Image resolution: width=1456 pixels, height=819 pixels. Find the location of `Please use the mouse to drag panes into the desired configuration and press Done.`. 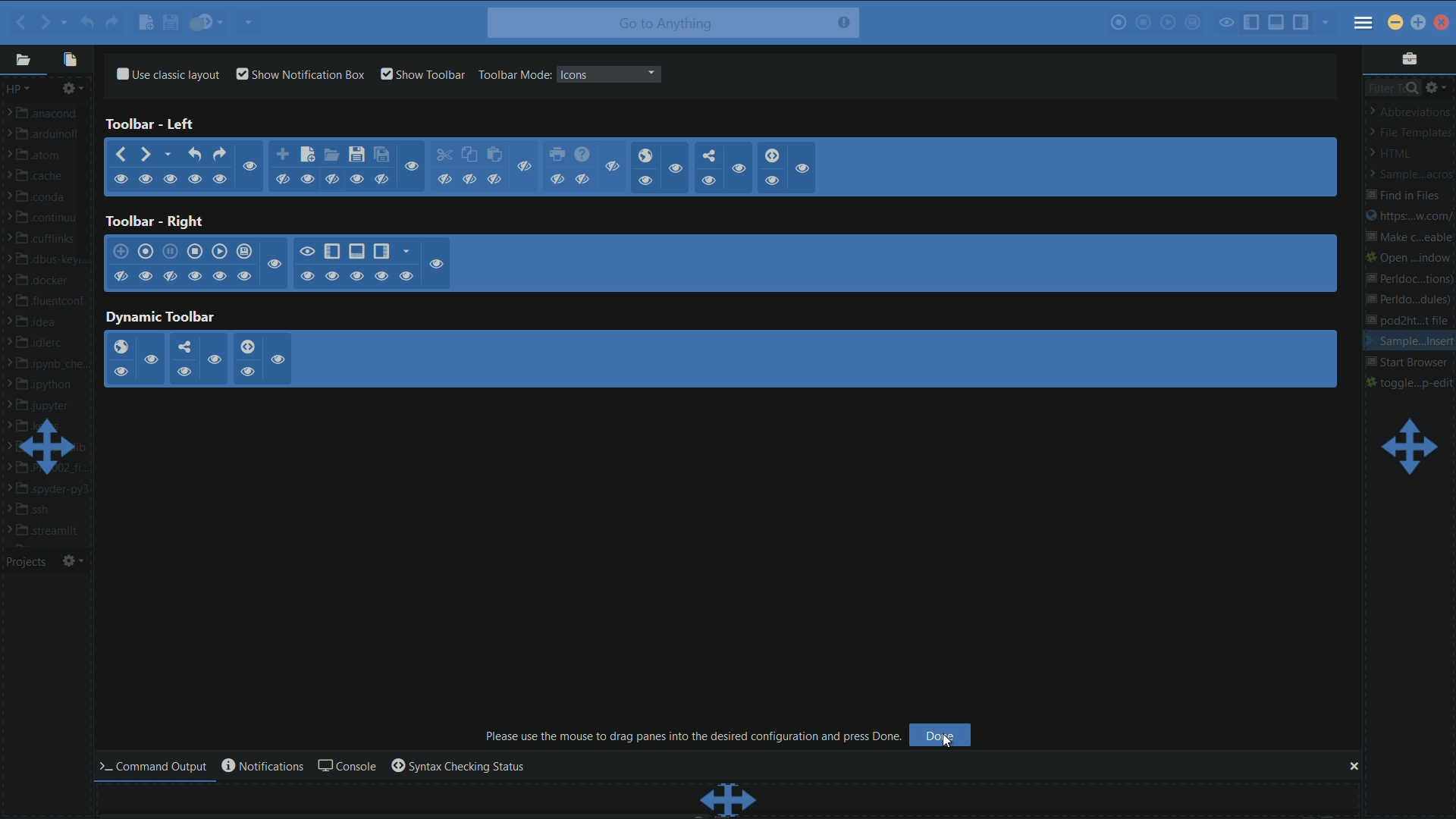

Please use the mouse to drag panes into the desired configuration and press Done. is located at coordinates (694, 736).